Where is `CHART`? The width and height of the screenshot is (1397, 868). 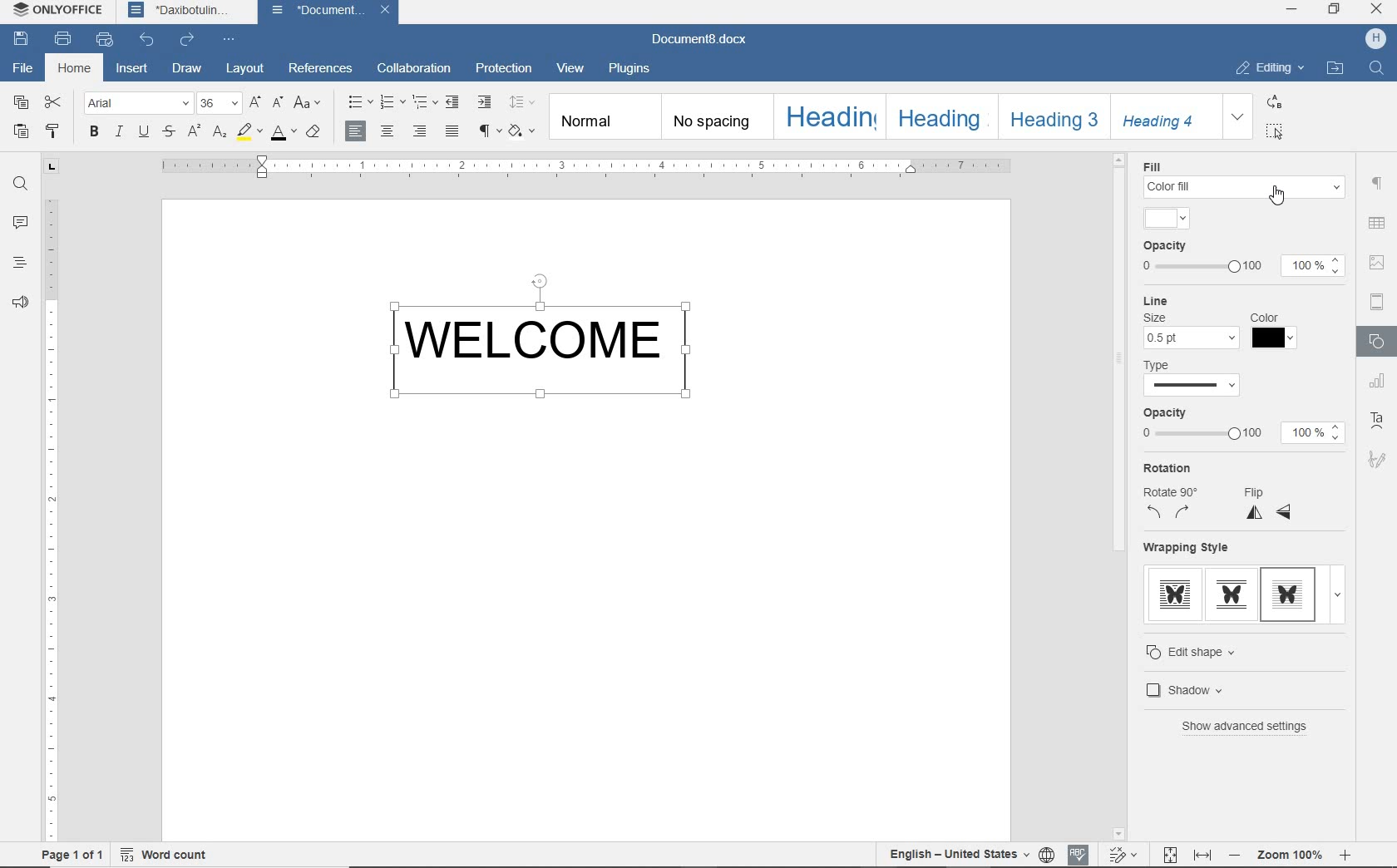
CHART is located at coordinates (1380, 382).